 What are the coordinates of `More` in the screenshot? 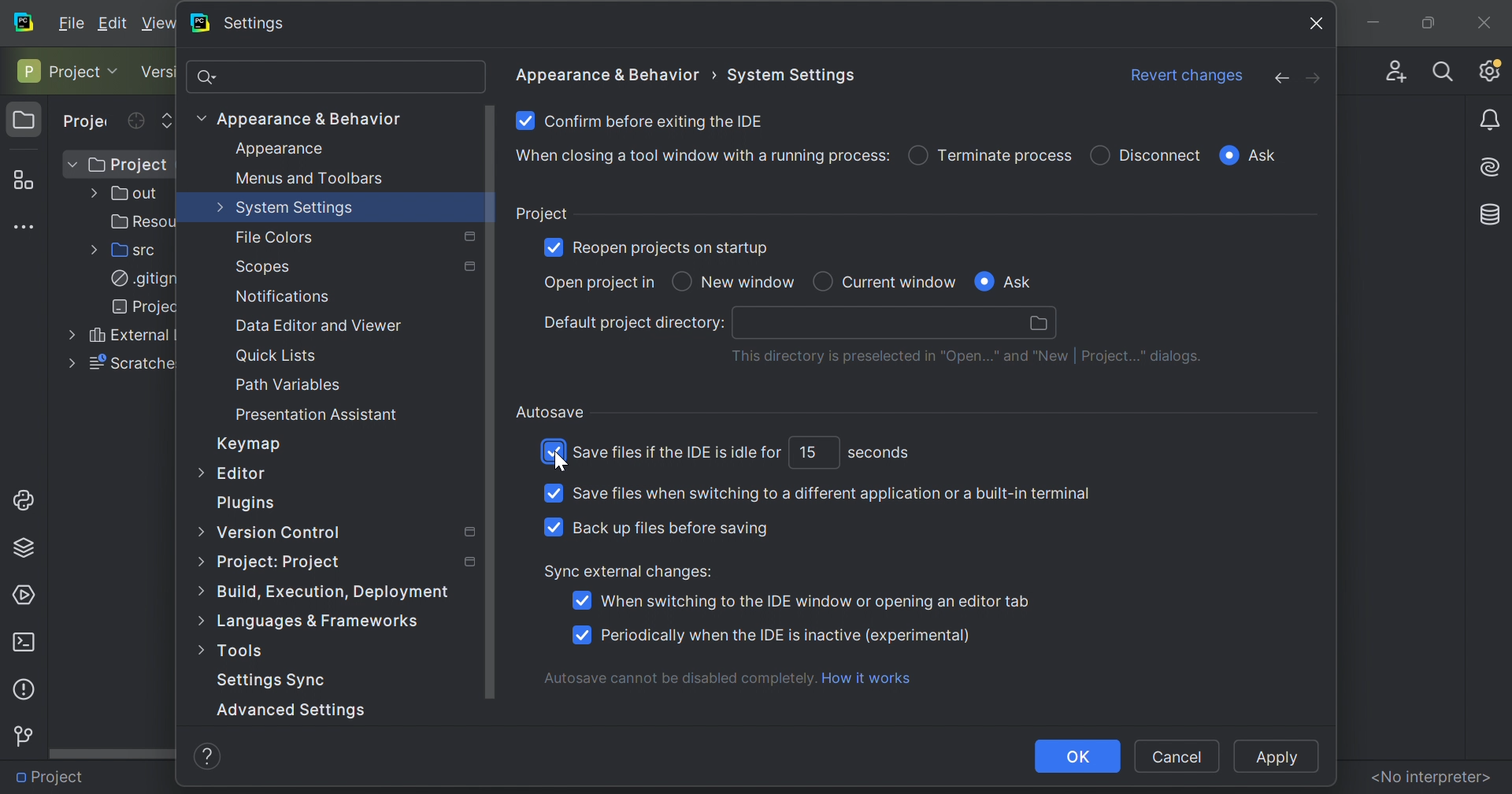 It's located at (195, 653).